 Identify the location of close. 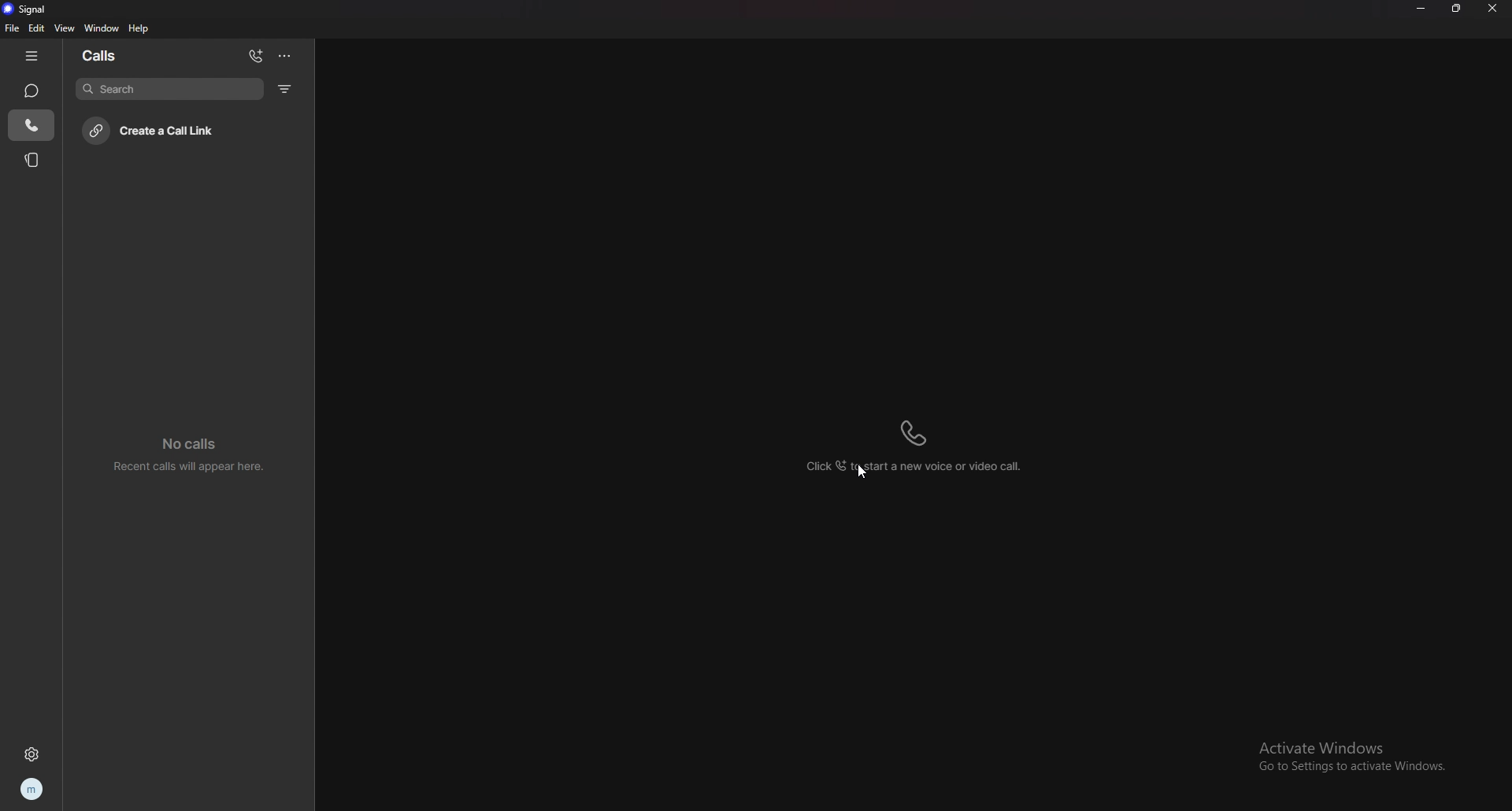
(1495, 8).